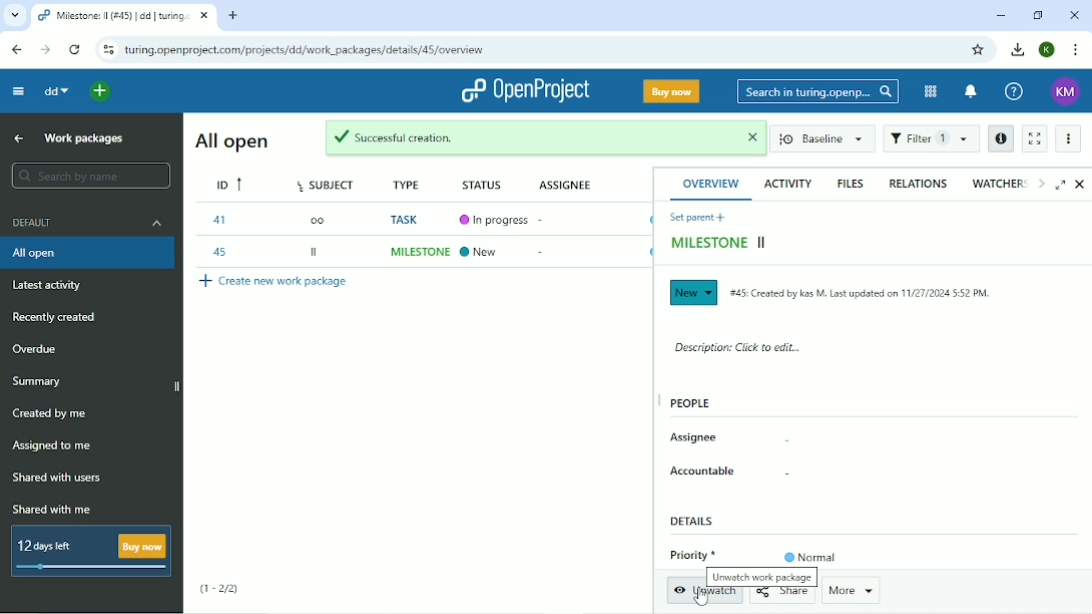  What do you see at coordinates (1034, 139) in the screenshot?
I see `Activate zen mode` at bounding box center [1034, 139].